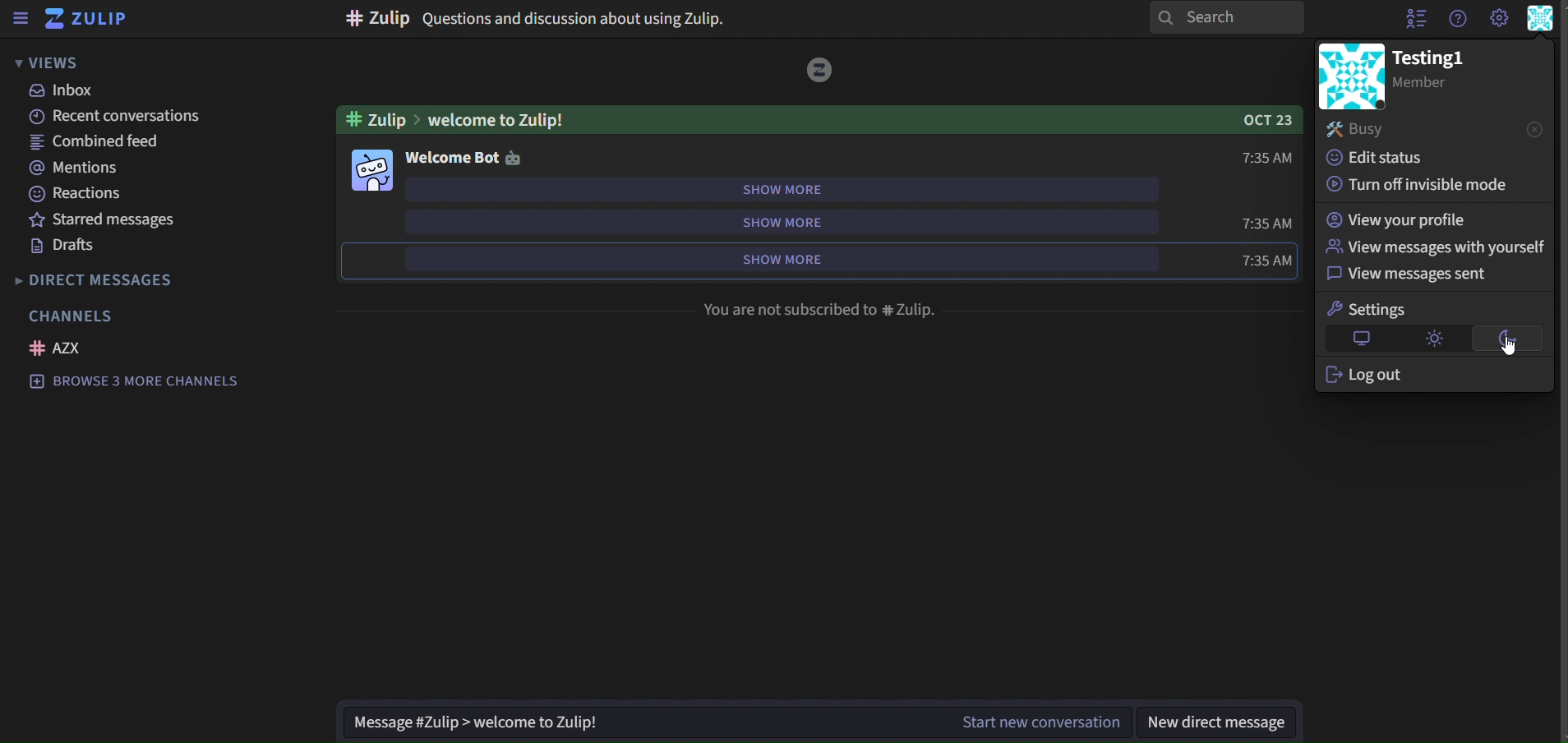  Describe the element at coordinates (1229, 718) in the screenshot. I see `new direct message` at that location.